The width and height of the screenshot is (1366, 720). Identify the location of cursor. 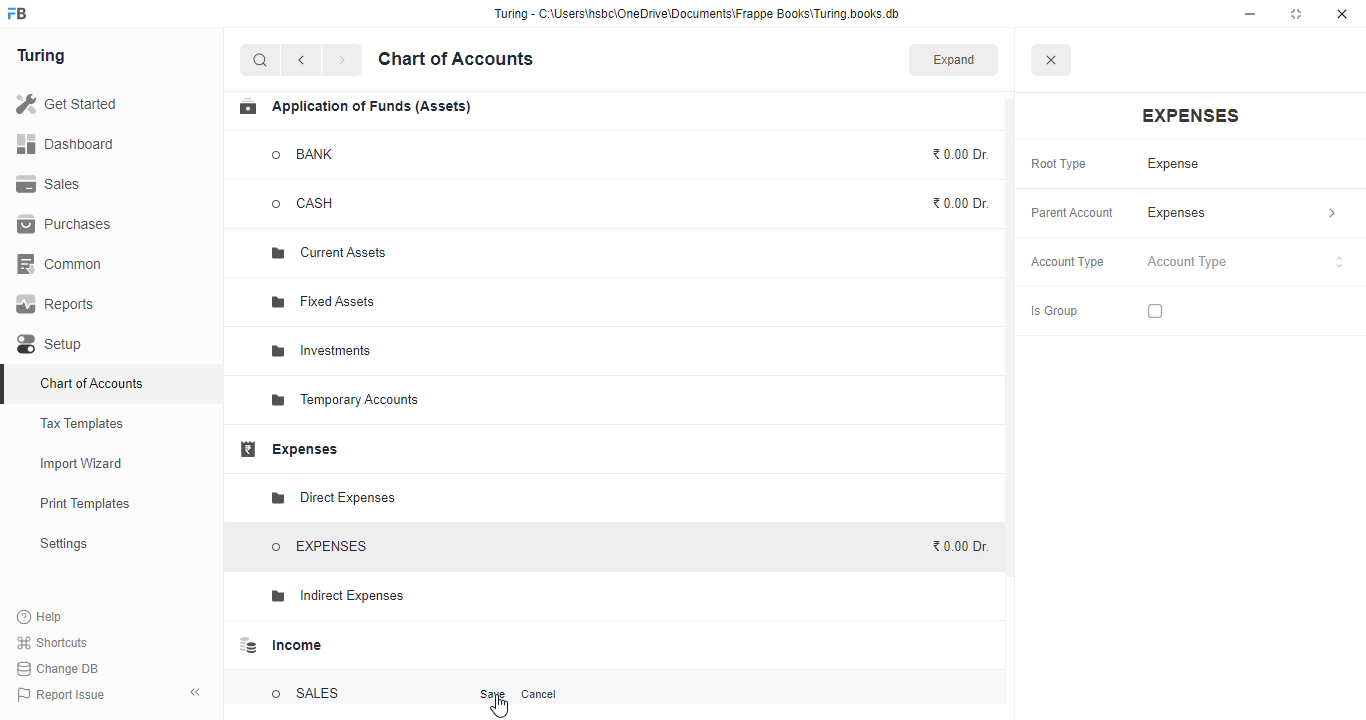
(499, 707).